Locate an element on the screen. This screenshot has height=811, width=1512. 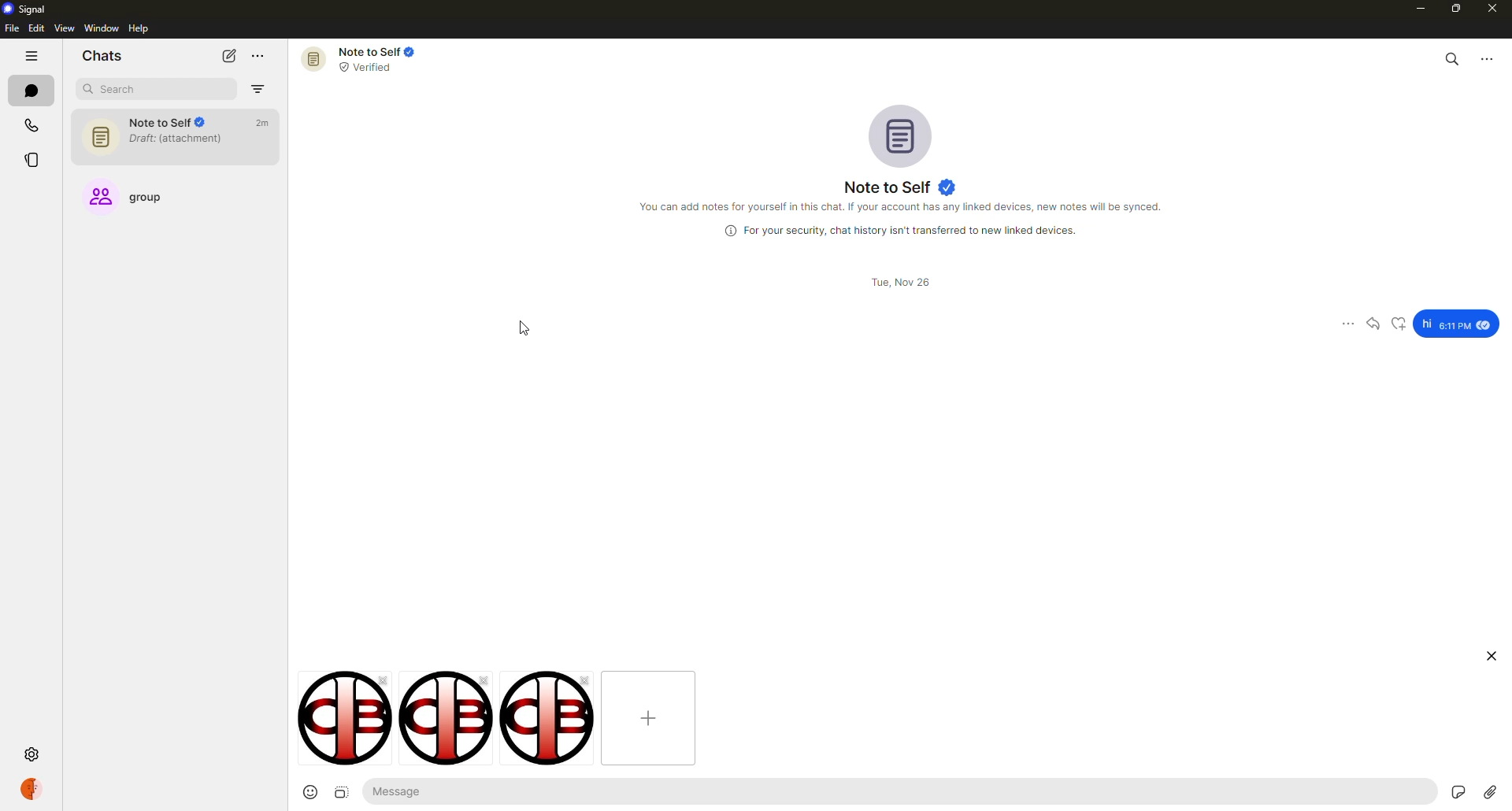
search is located at coordinates (1451, 57).